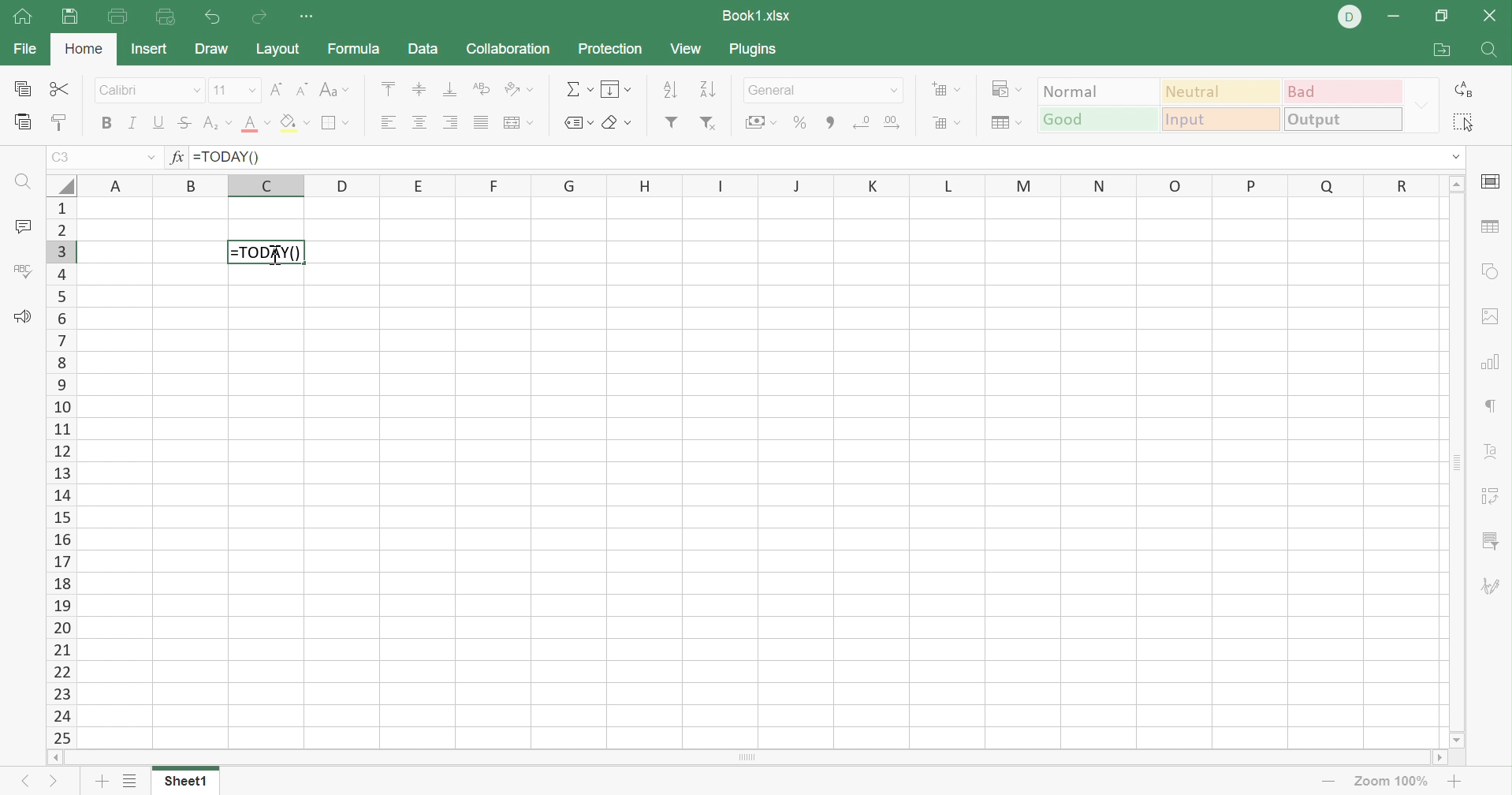 Image resolution: width=1512 pixels, height=795 pixels. I want to click on Spell Checking, so click(24, 274).